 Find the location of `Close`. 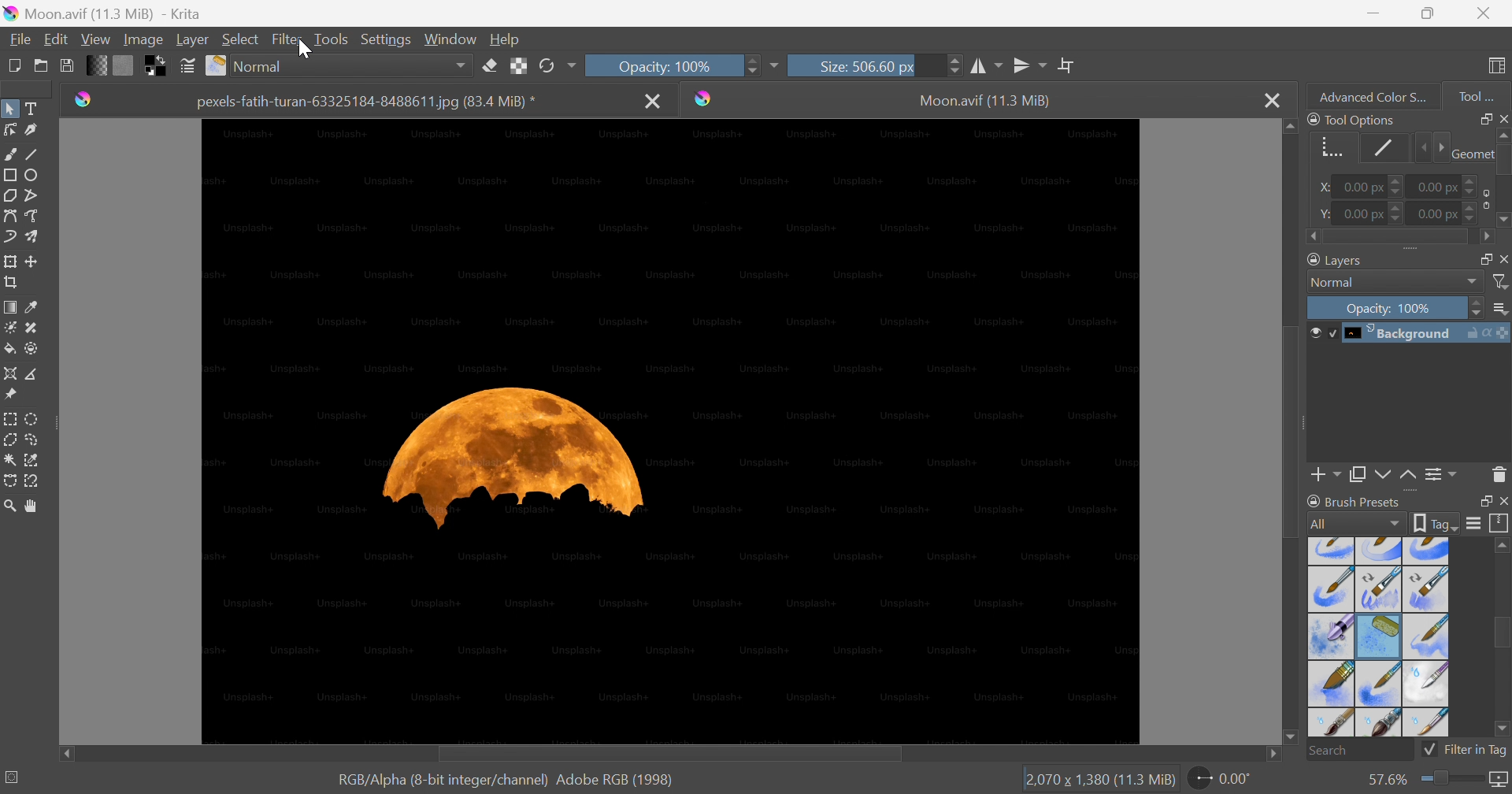

Close is located at coordinates (1487, 11).